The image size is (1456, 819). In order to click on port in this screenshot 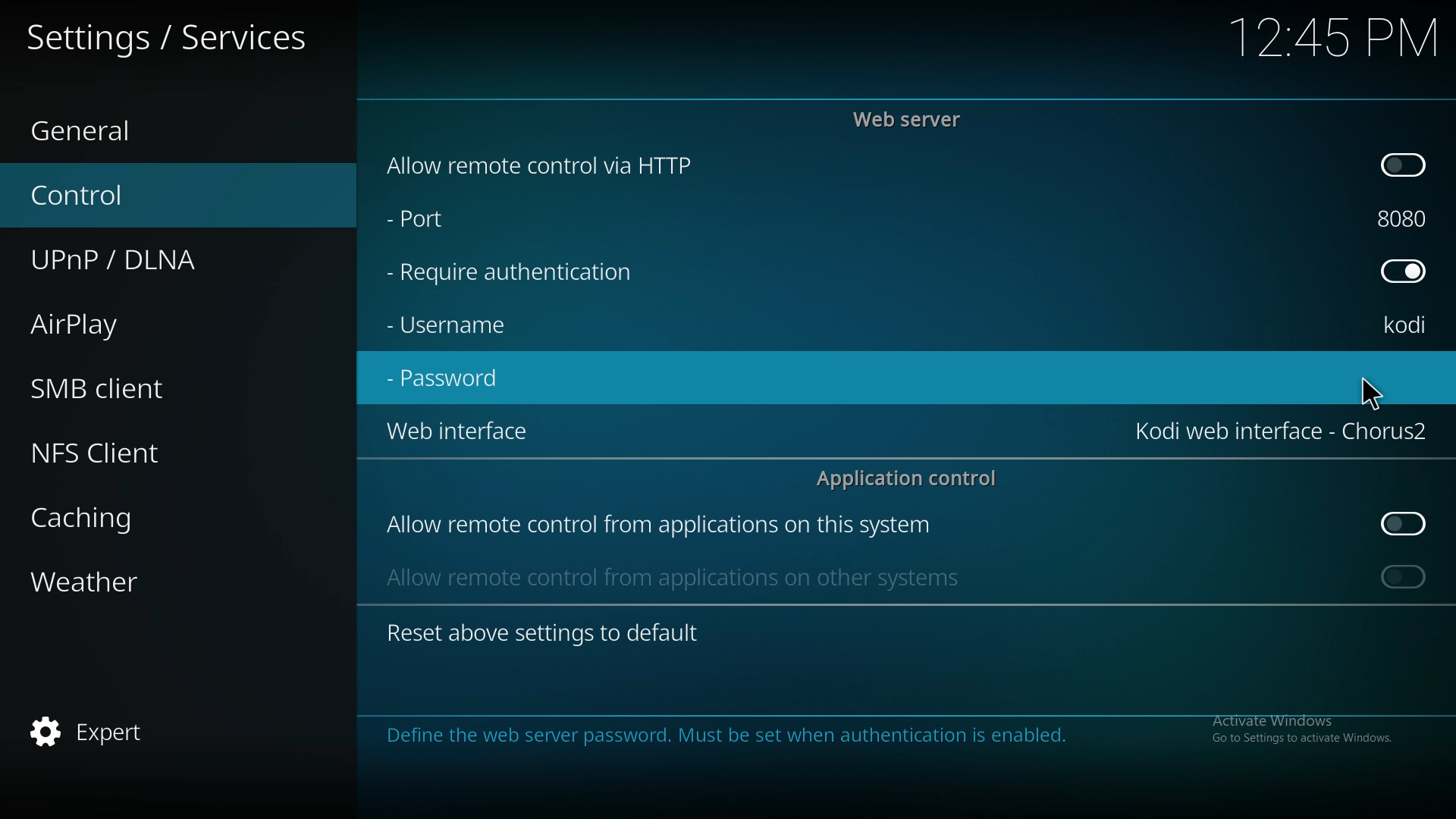, I will do `click(426, 215)`.